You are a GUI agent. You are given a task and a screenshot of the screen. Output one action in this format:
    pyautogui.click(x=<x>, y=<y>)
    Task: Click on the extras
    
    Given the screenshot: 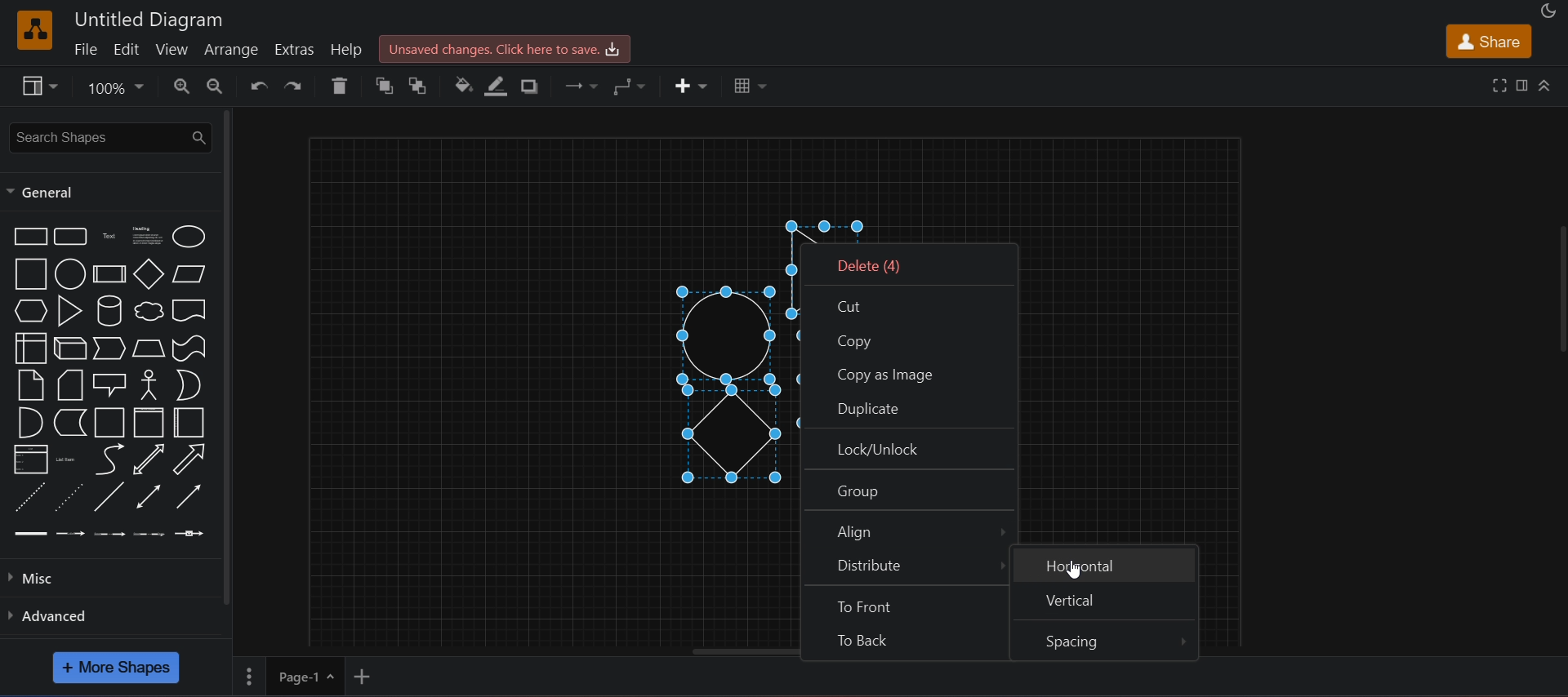 What is the action you would take?
    pyautogui.click(x=297, y=47)
    